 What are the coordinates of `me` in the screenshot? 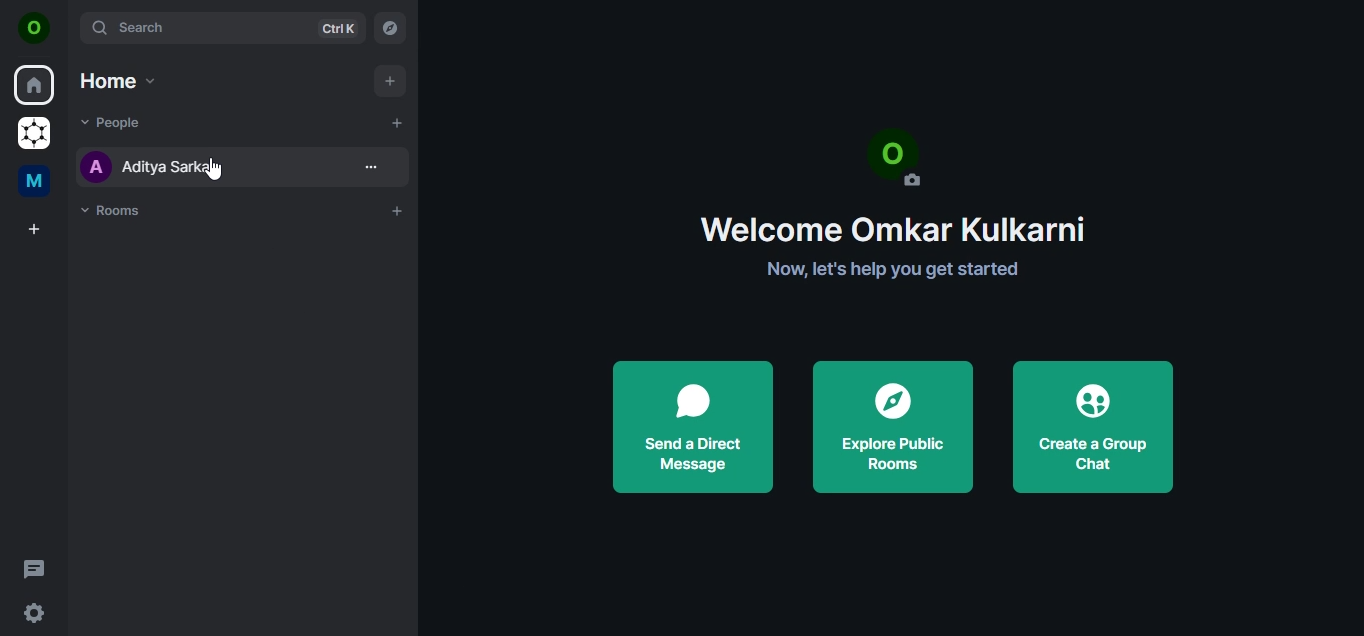 It's located at (33, 181).